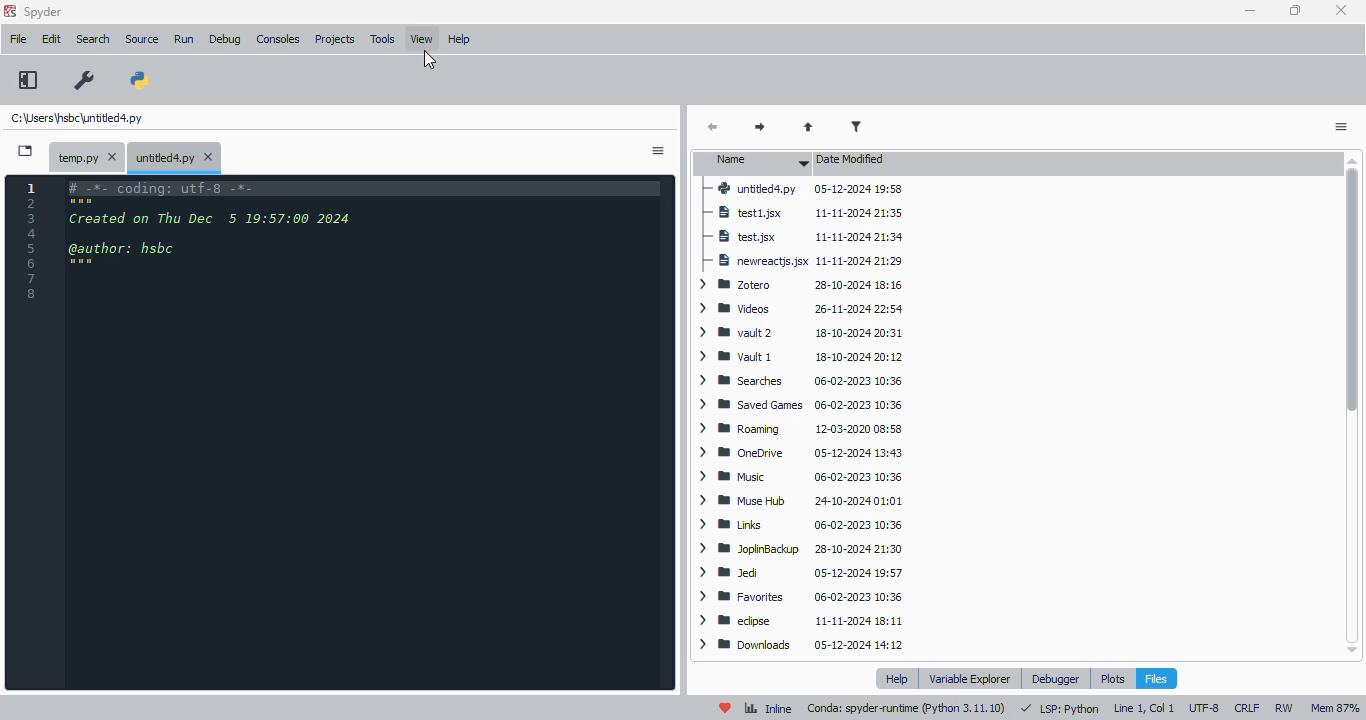 This screenshot has height=720, width=1366. I want to click on UTF-8, so click(1206, 708).